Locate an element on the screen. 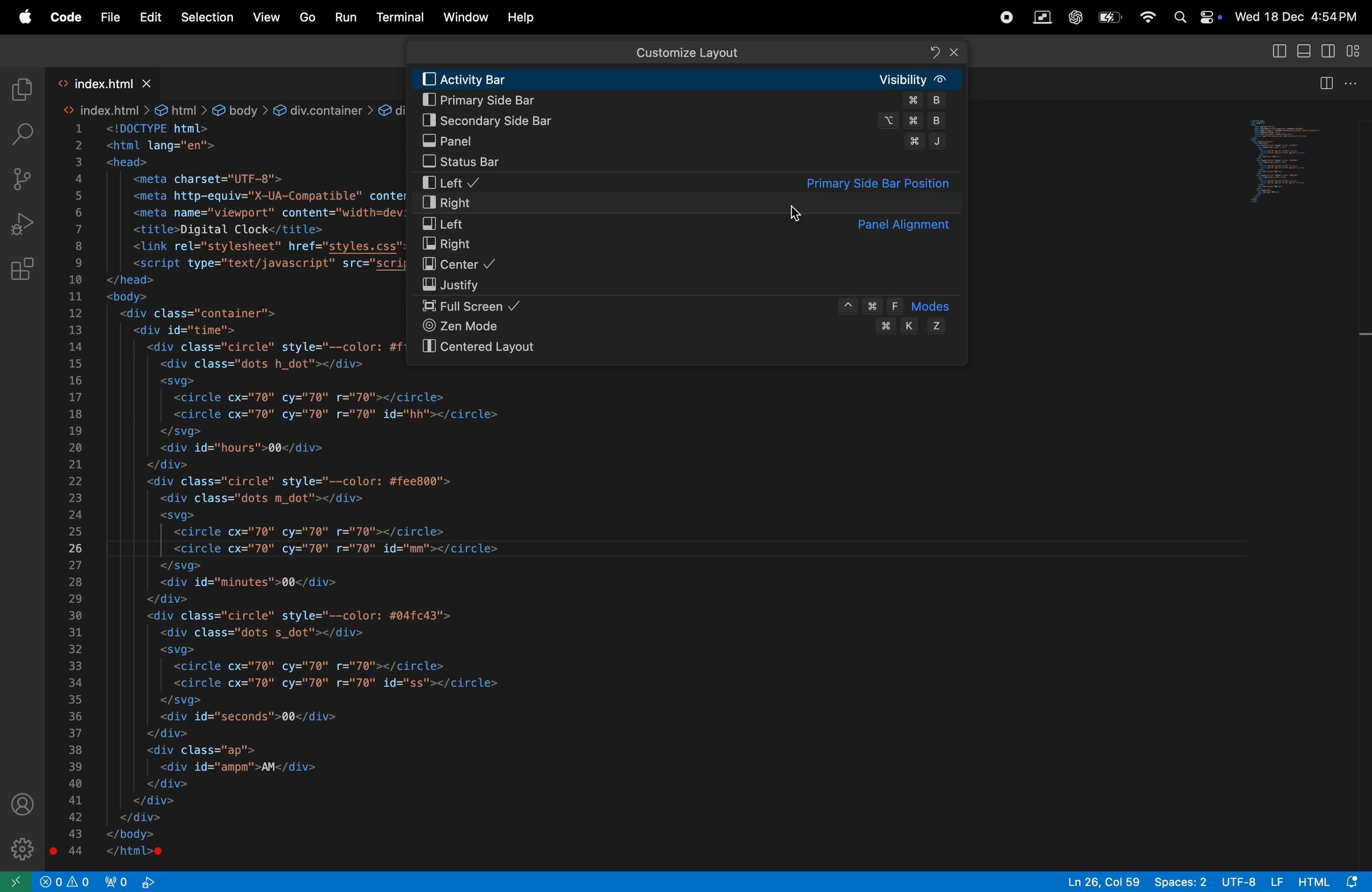  run and debug is located at coordinates (25, 222).